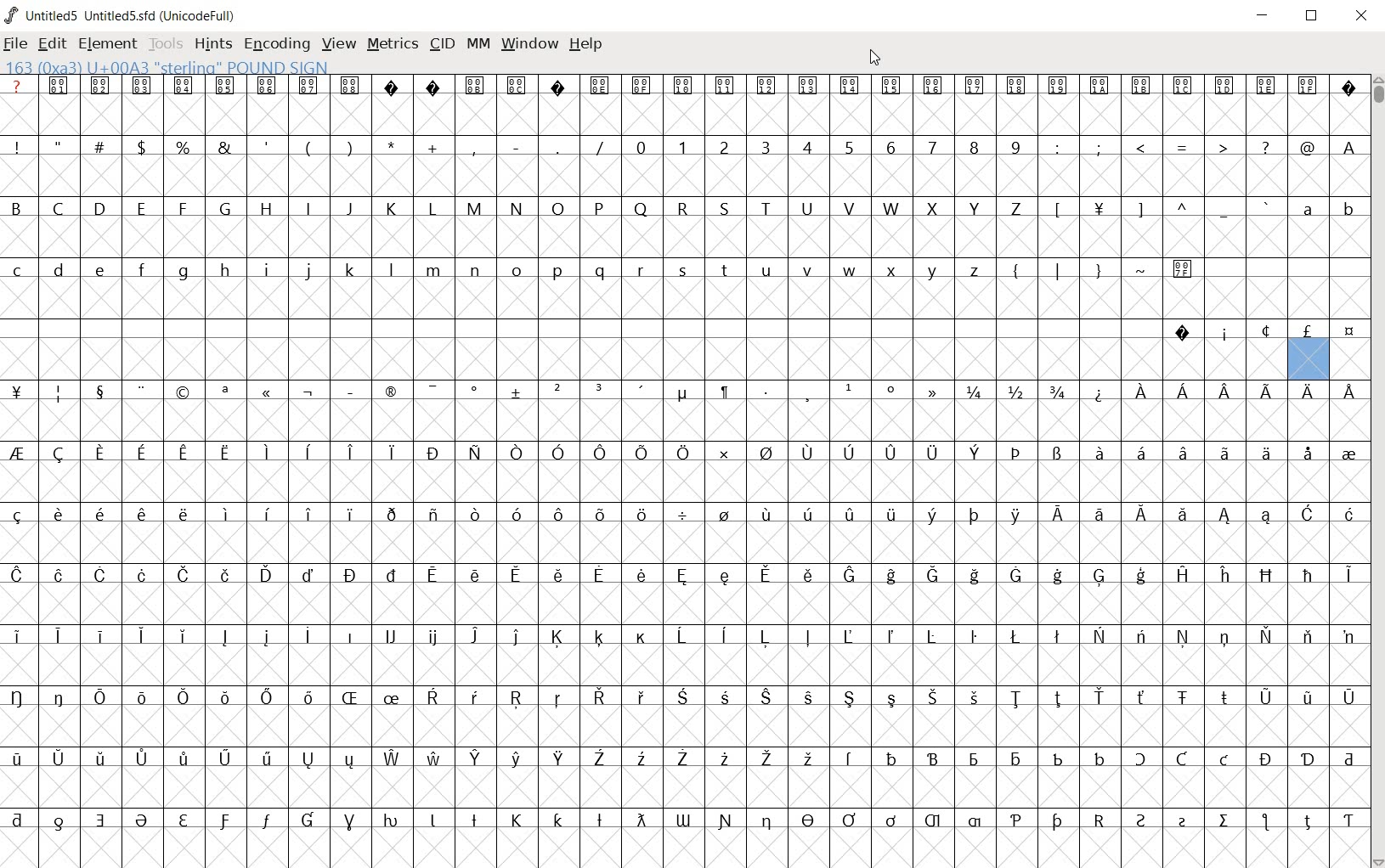 The width and height of the screenshot is (1385, 868). Describe the element at coordinates (434, 148) in the screenshot. I see `+` at that location.